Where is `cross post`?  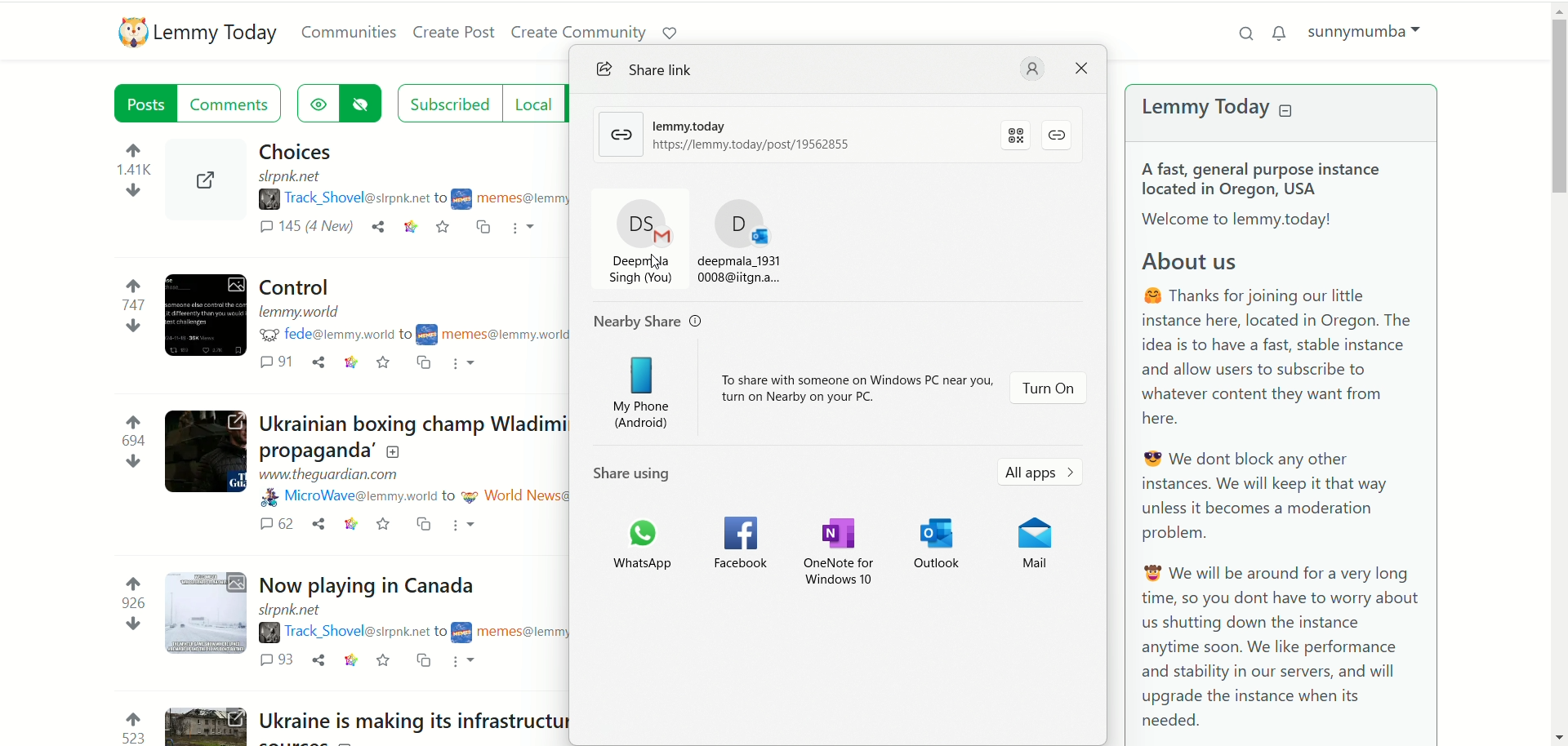 cross post is located at coordinates (424, 524).